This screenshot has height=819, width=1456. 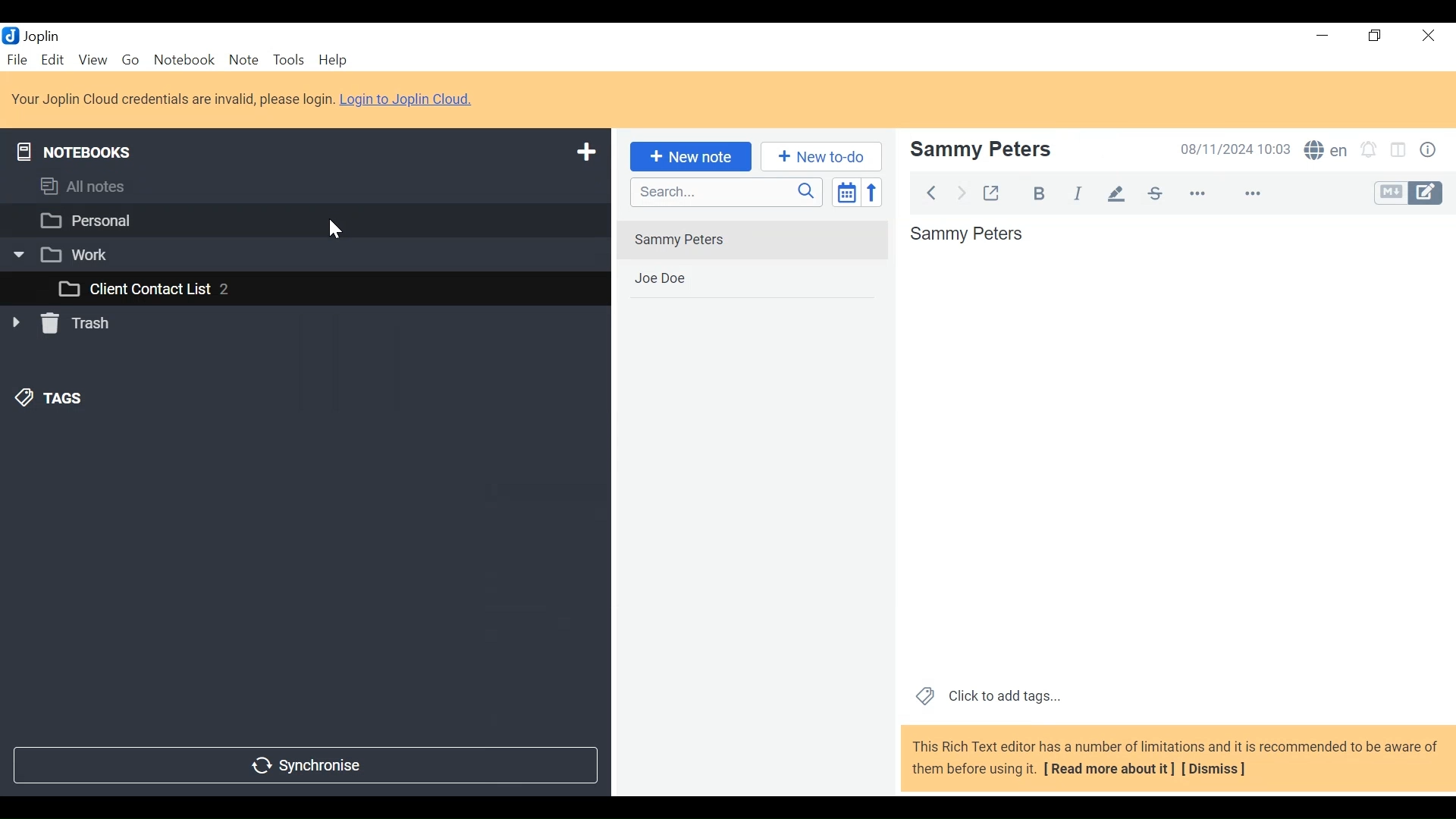 What do you see at coordinates (691, 156) in the screenshot?
I see `New Note` at bounding box center [691, 156].